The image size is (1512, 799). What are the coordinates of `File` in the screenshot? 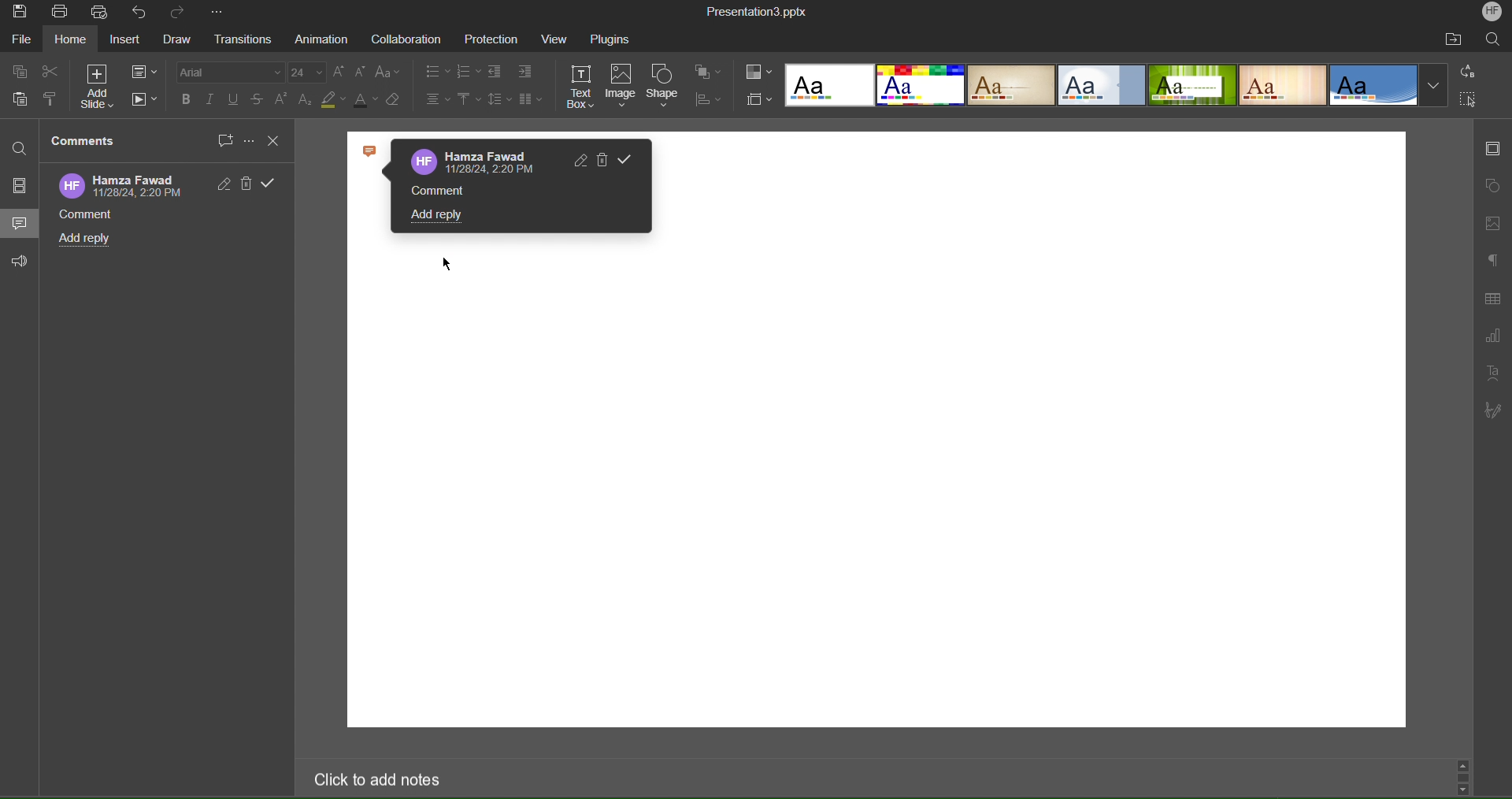 It's located at (20, 40).